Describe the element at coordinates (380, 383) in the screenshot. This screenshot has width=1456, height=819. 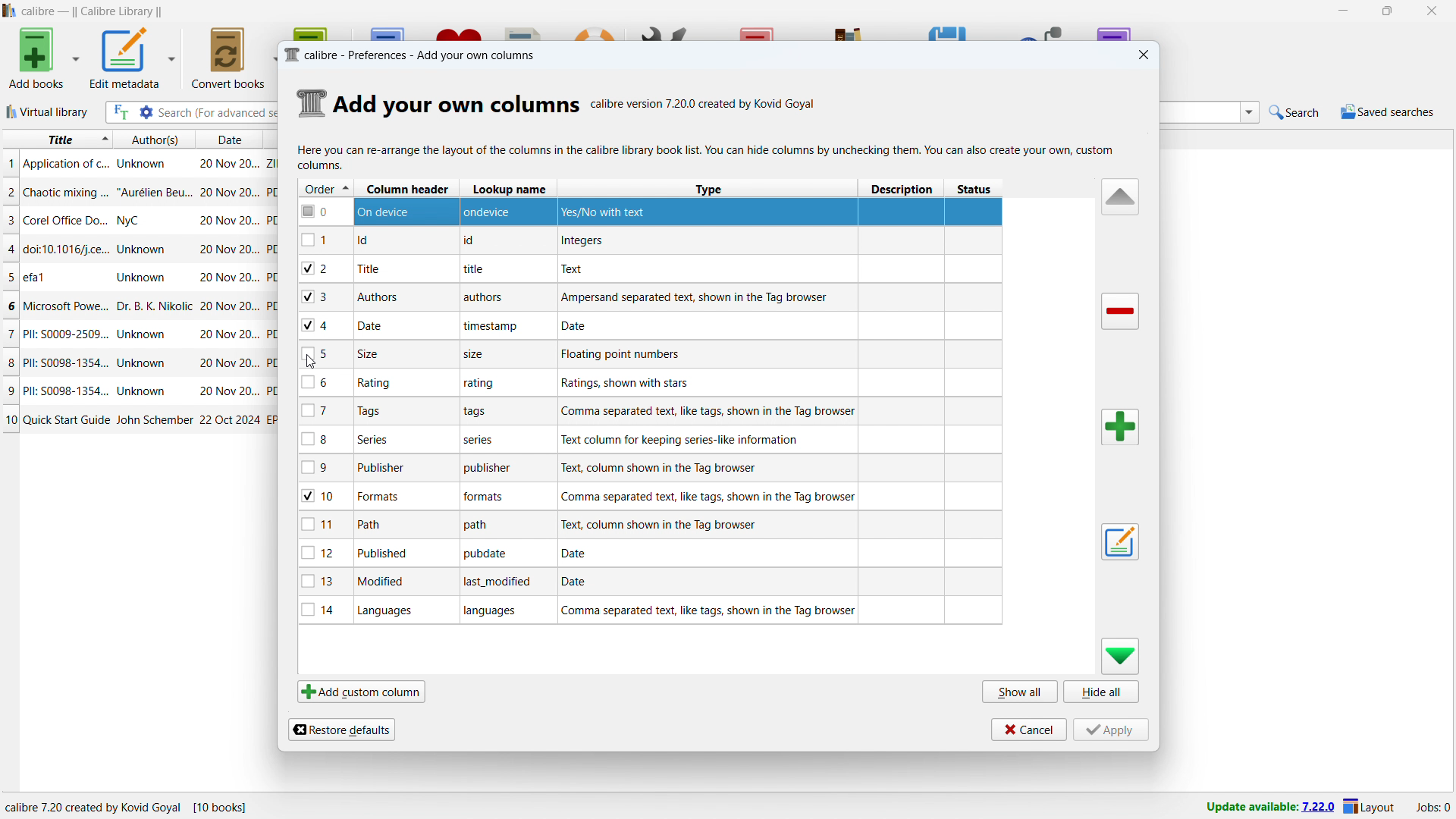
I see `rating` at that location.